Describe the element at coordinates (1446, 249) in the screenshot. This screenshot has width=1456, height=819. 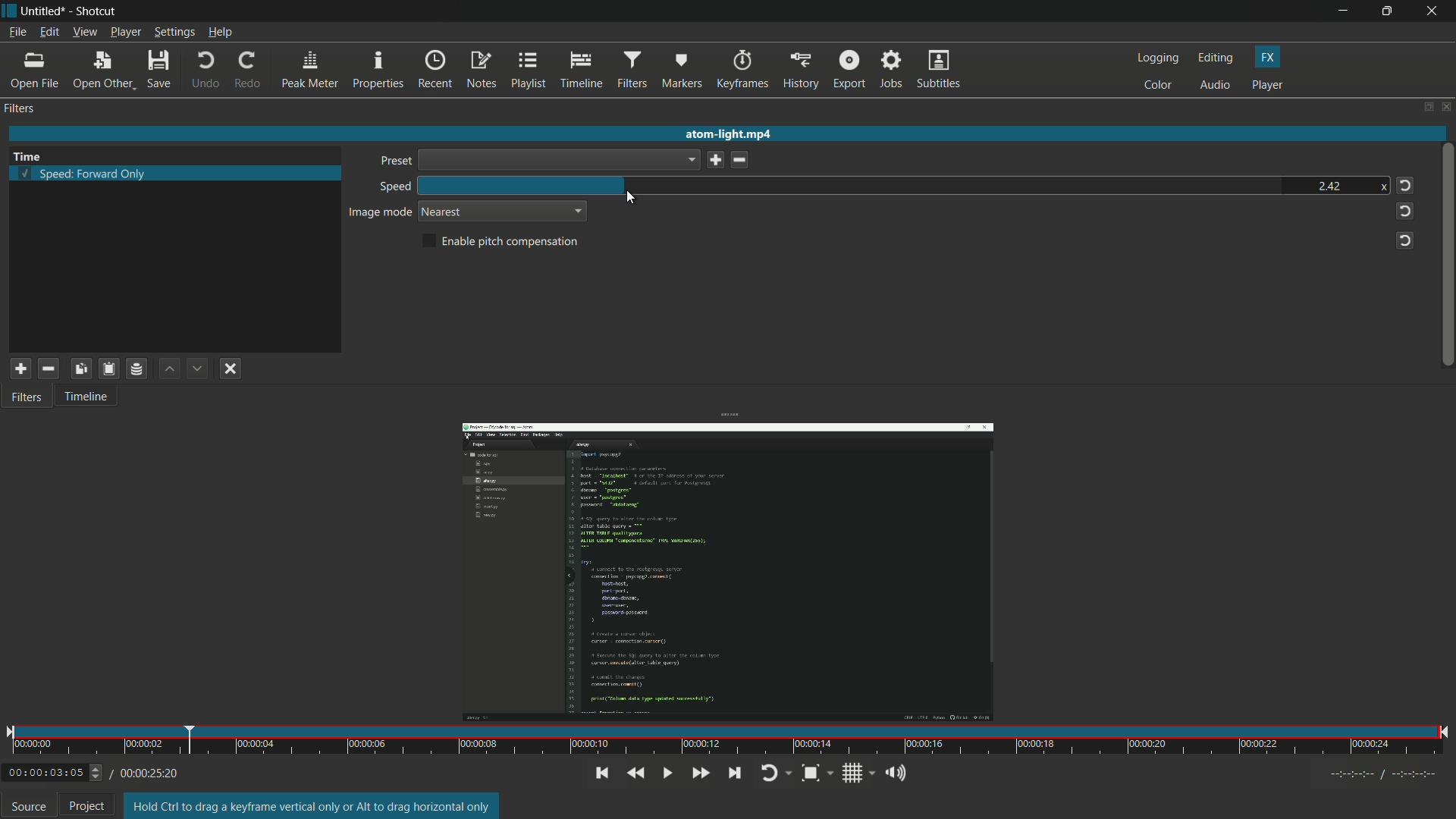
I see `vertical scroll bar` at that location.